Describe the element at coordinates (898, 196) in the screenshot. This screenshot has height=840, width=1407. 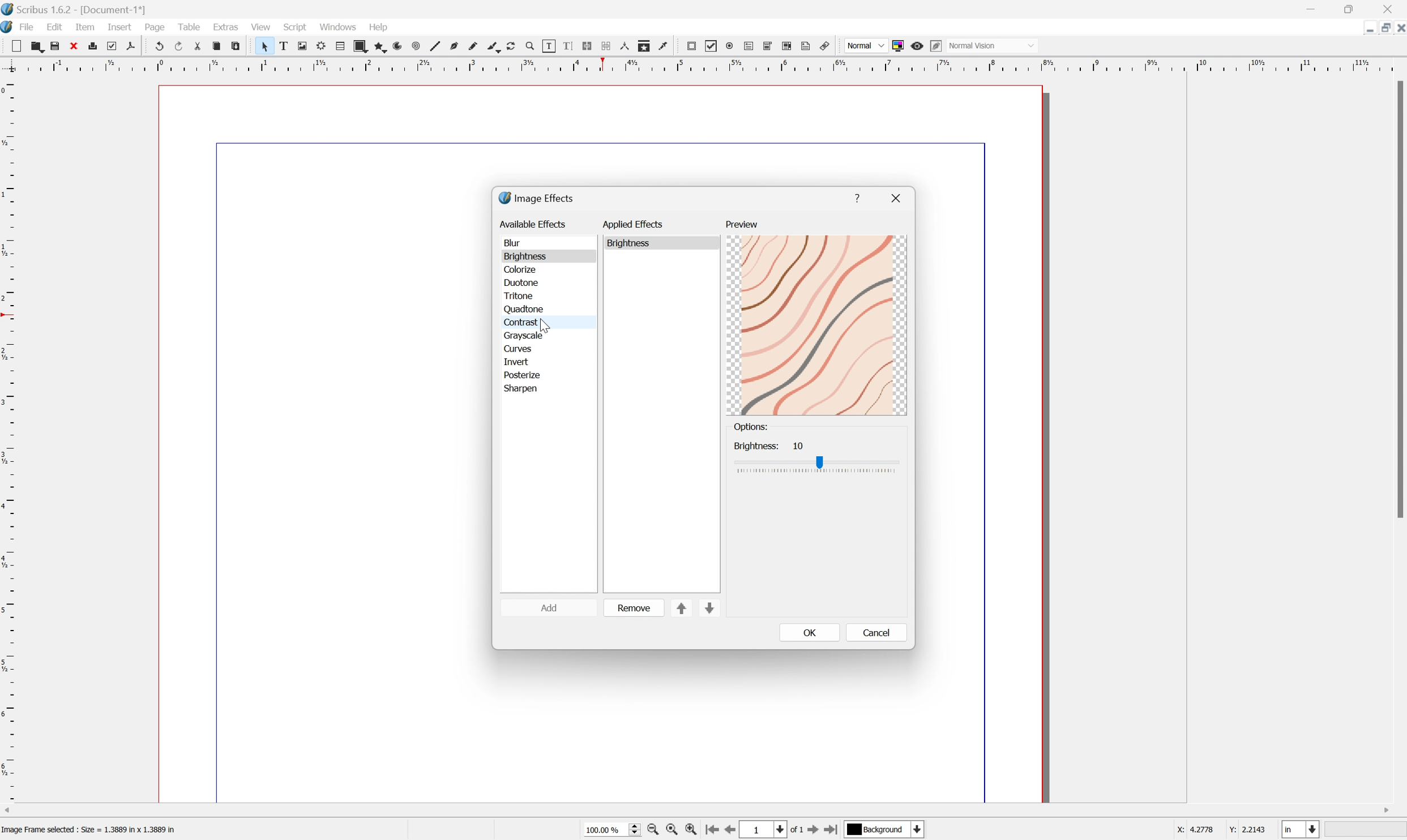
I see `close` at that location.